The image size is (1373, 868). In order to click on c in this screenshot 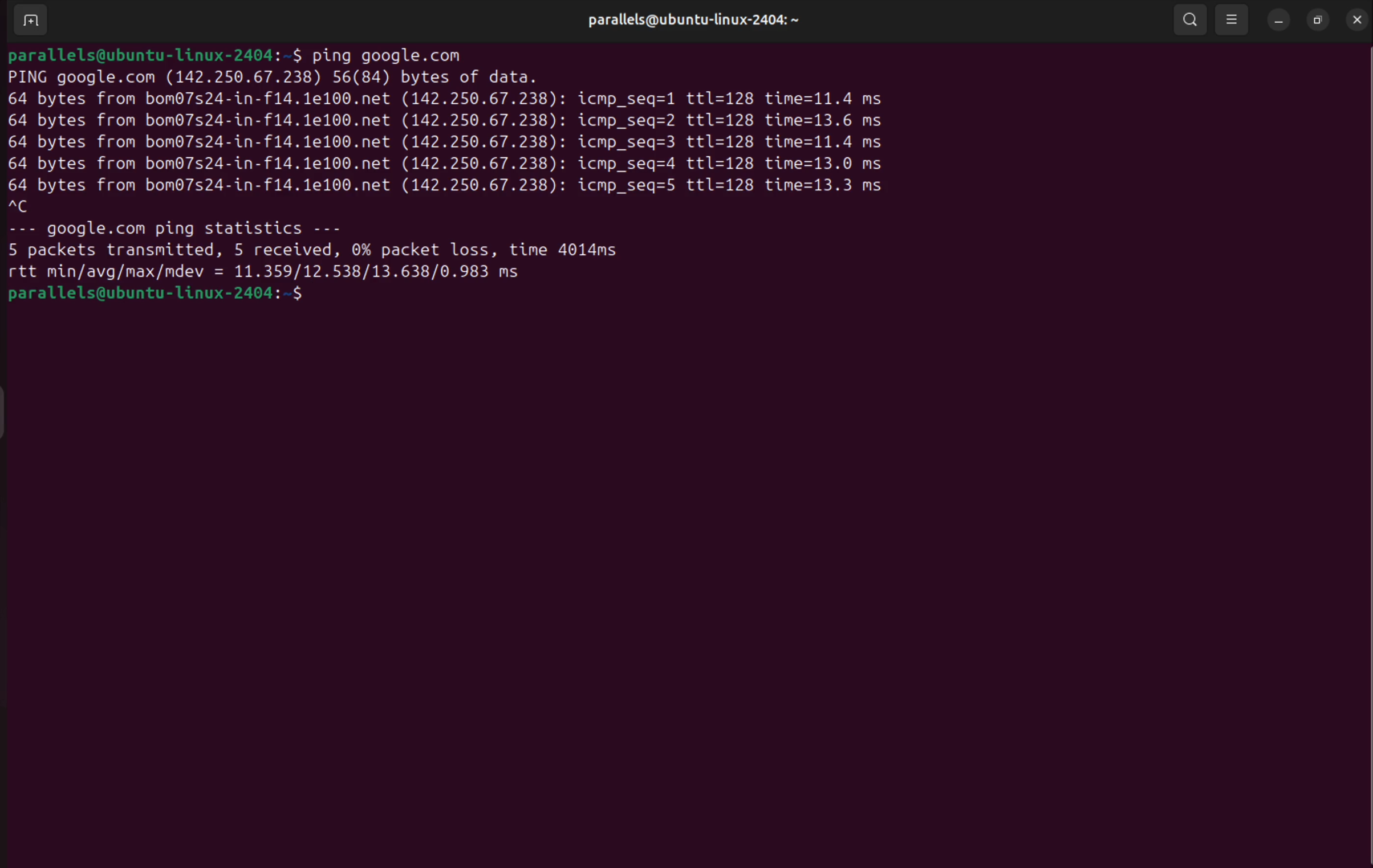, I will do `click(18, 207)`.